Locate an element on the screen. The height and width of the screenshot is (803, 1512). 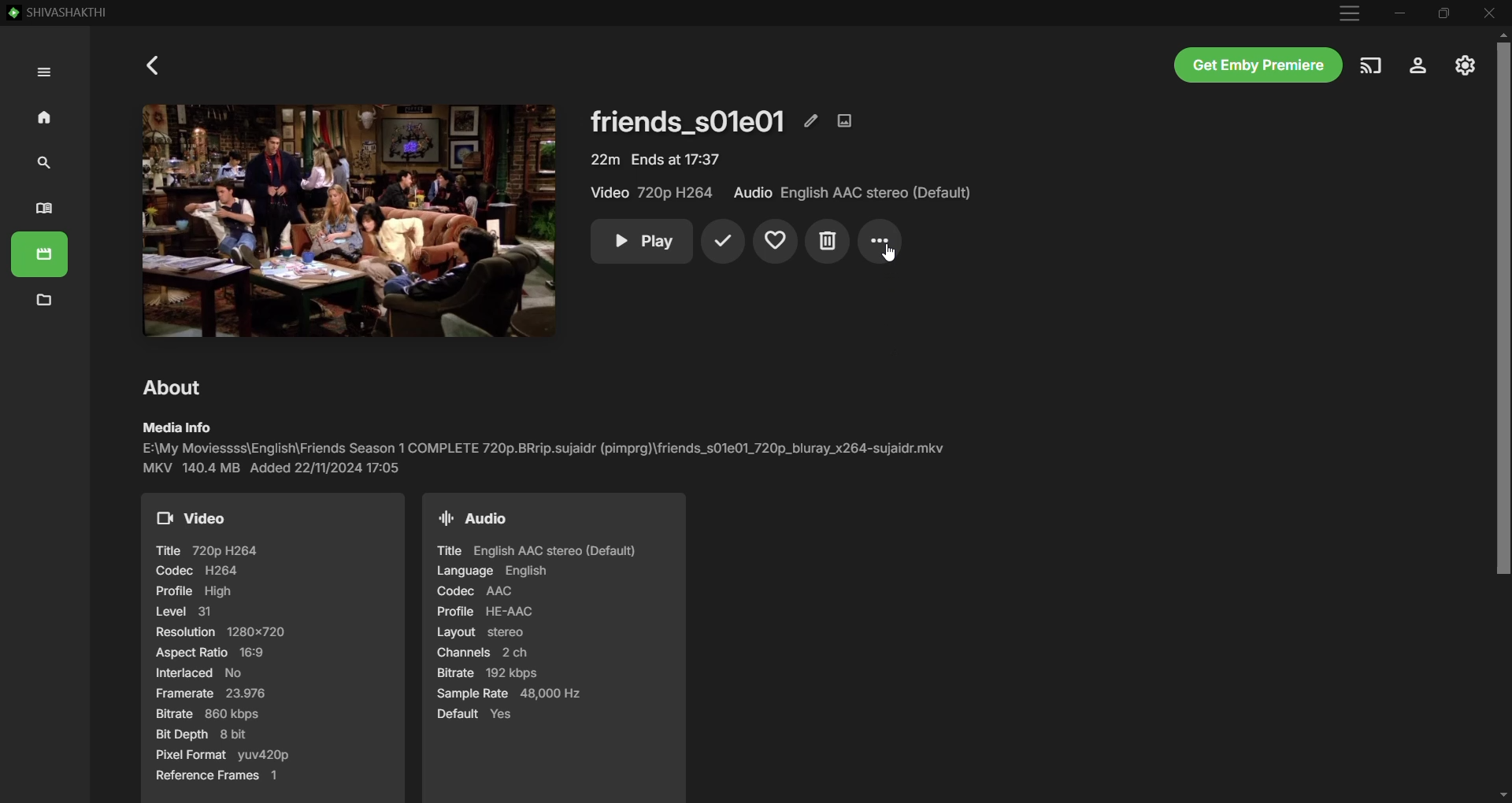
Books is located at coordinates (44, 210).